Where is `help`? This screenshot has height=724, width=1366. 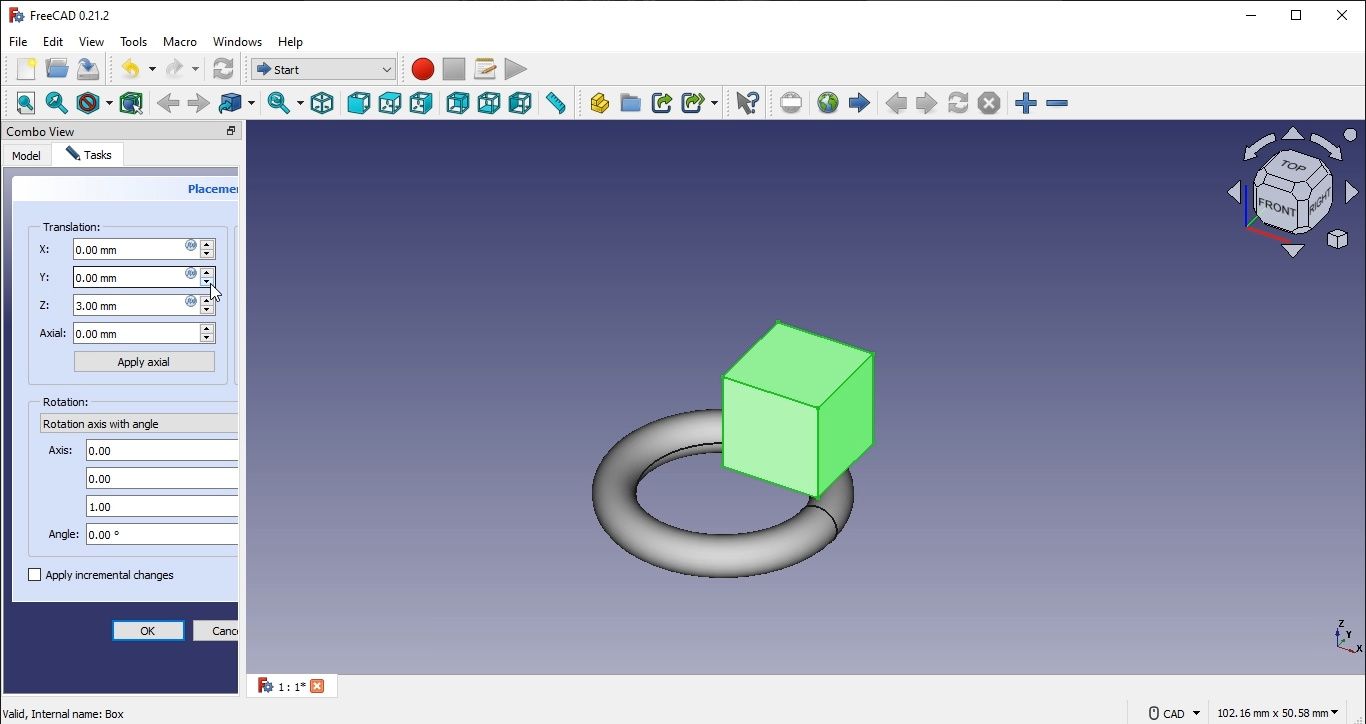
help is located at coordinates (293, 42).